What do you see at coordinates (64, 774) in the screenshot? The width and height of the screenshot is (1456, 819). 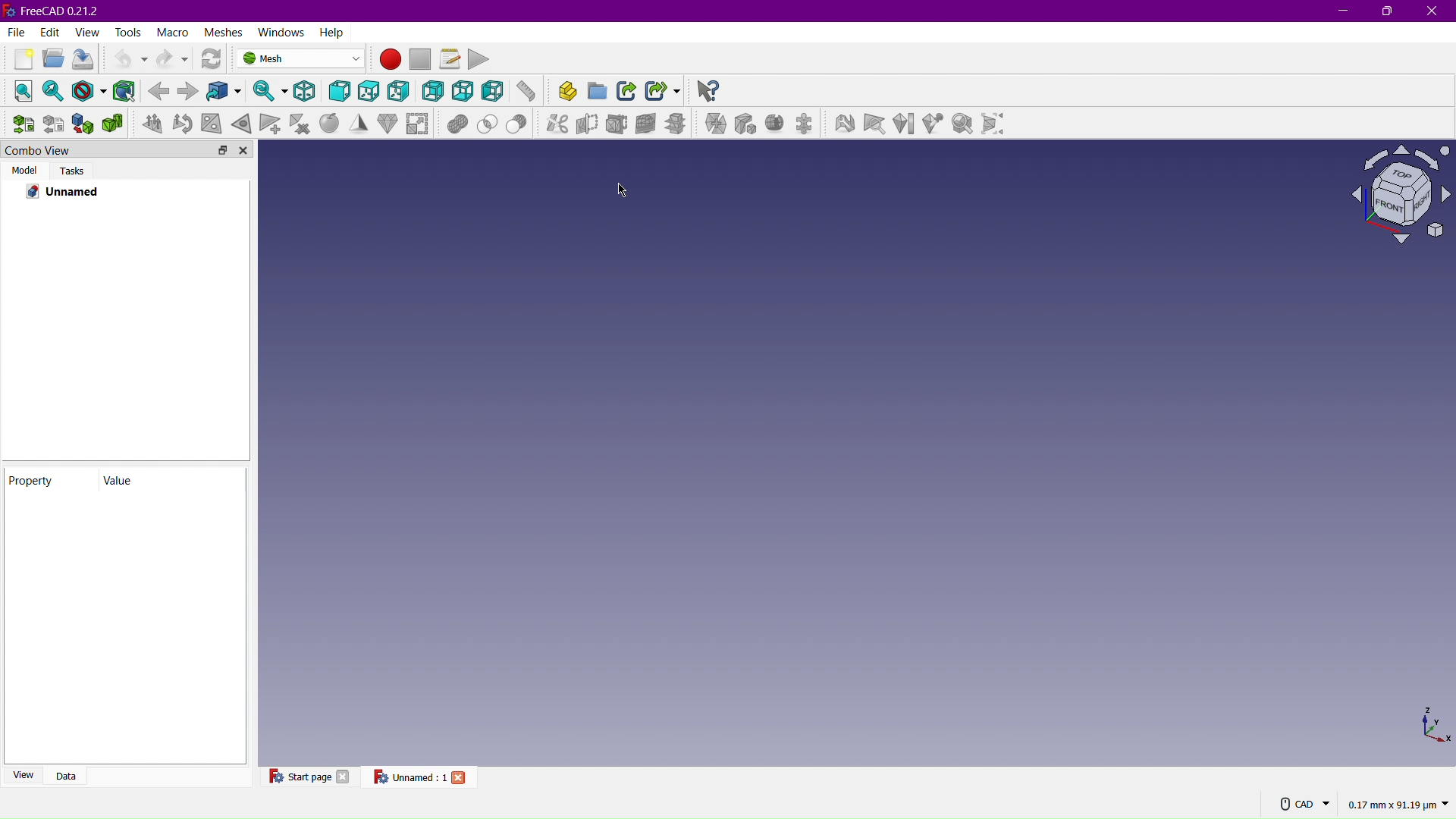 I see `Data` at bounding box center [64, 774].